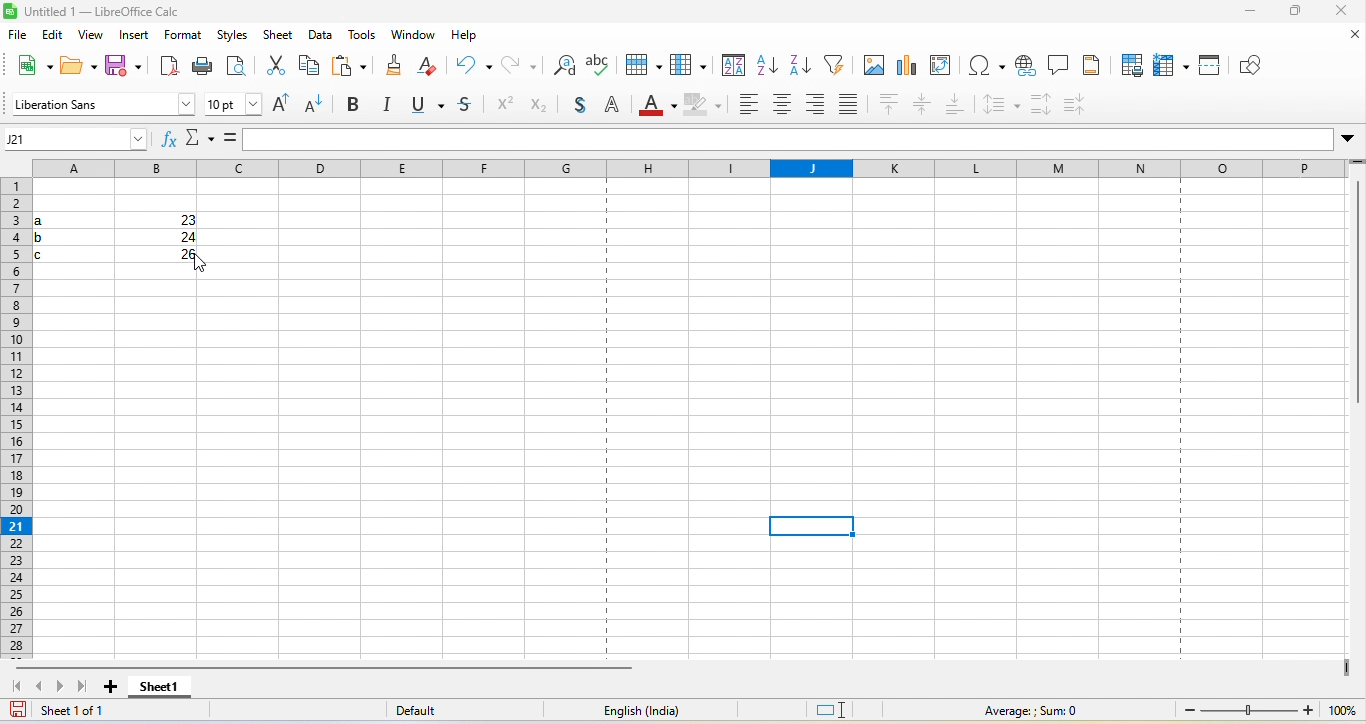 Image resolution: width=1366 pixels, height=724 pixels. Describe the element at coordinates (888, 105) in the screenshot. I see `align top` at that location.